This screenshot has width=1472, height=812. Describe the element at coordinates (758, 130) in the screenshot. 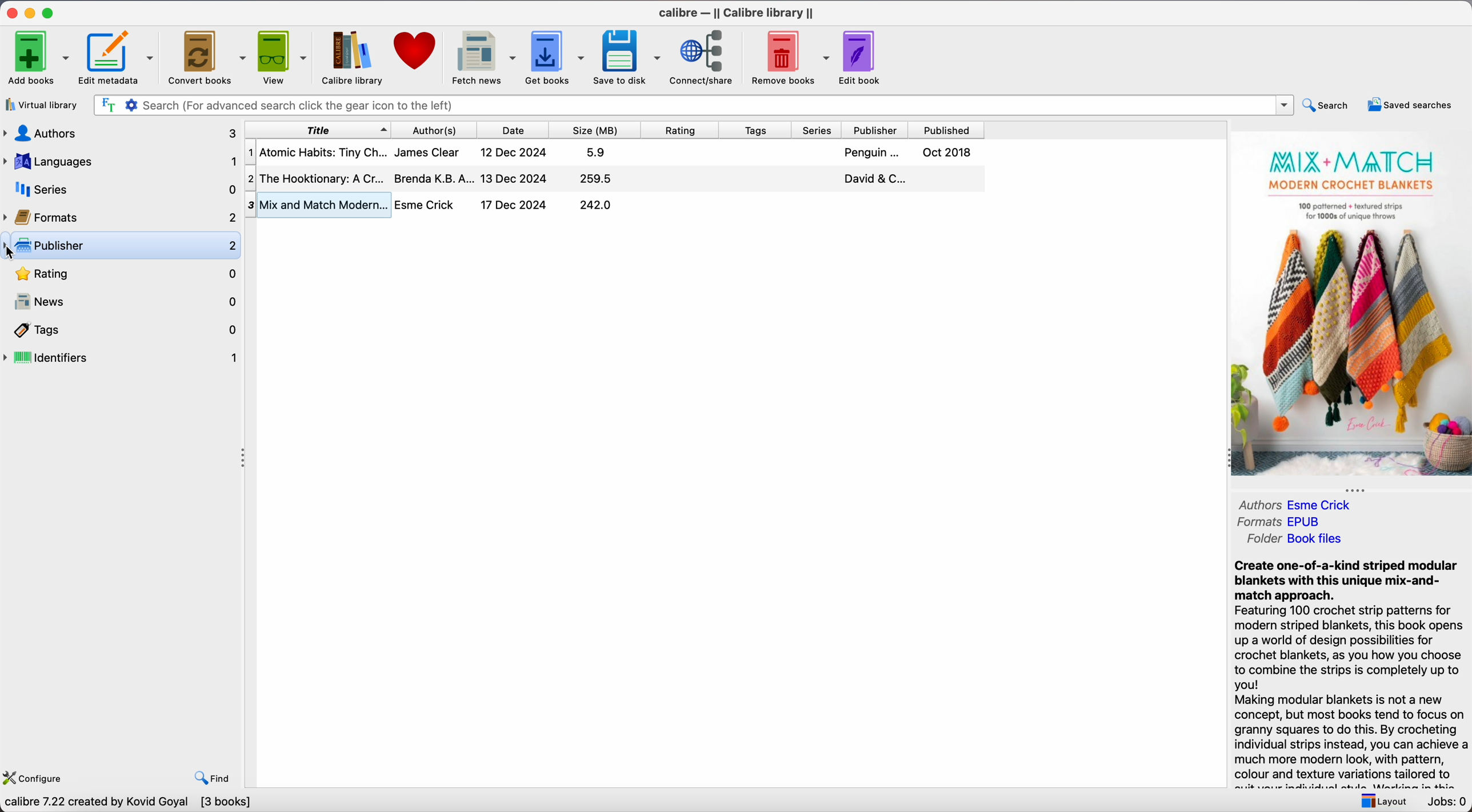

I see `tags` at that location.